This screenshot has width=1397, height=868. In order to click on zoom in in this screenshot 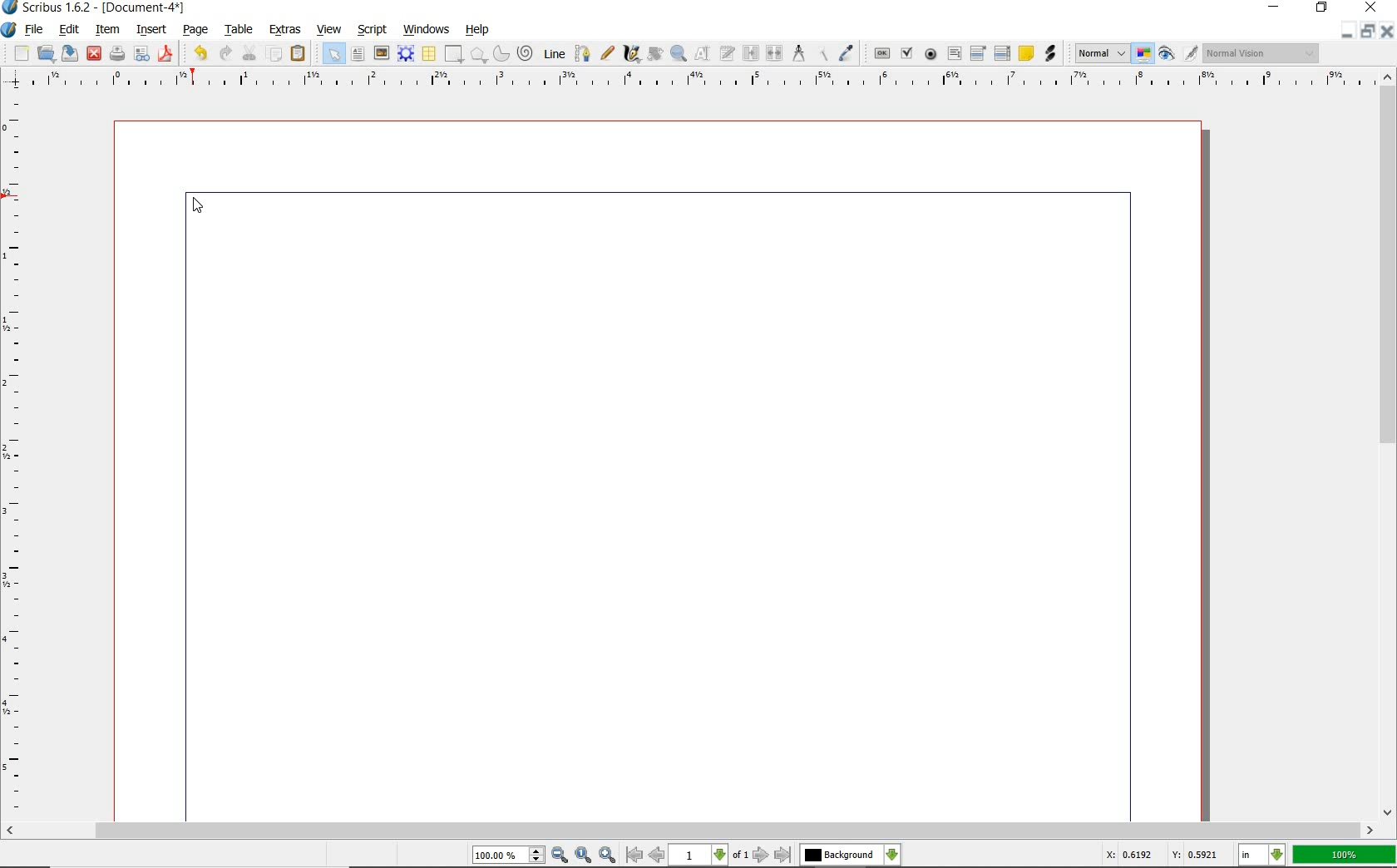, I will do `click(608, 855)`.